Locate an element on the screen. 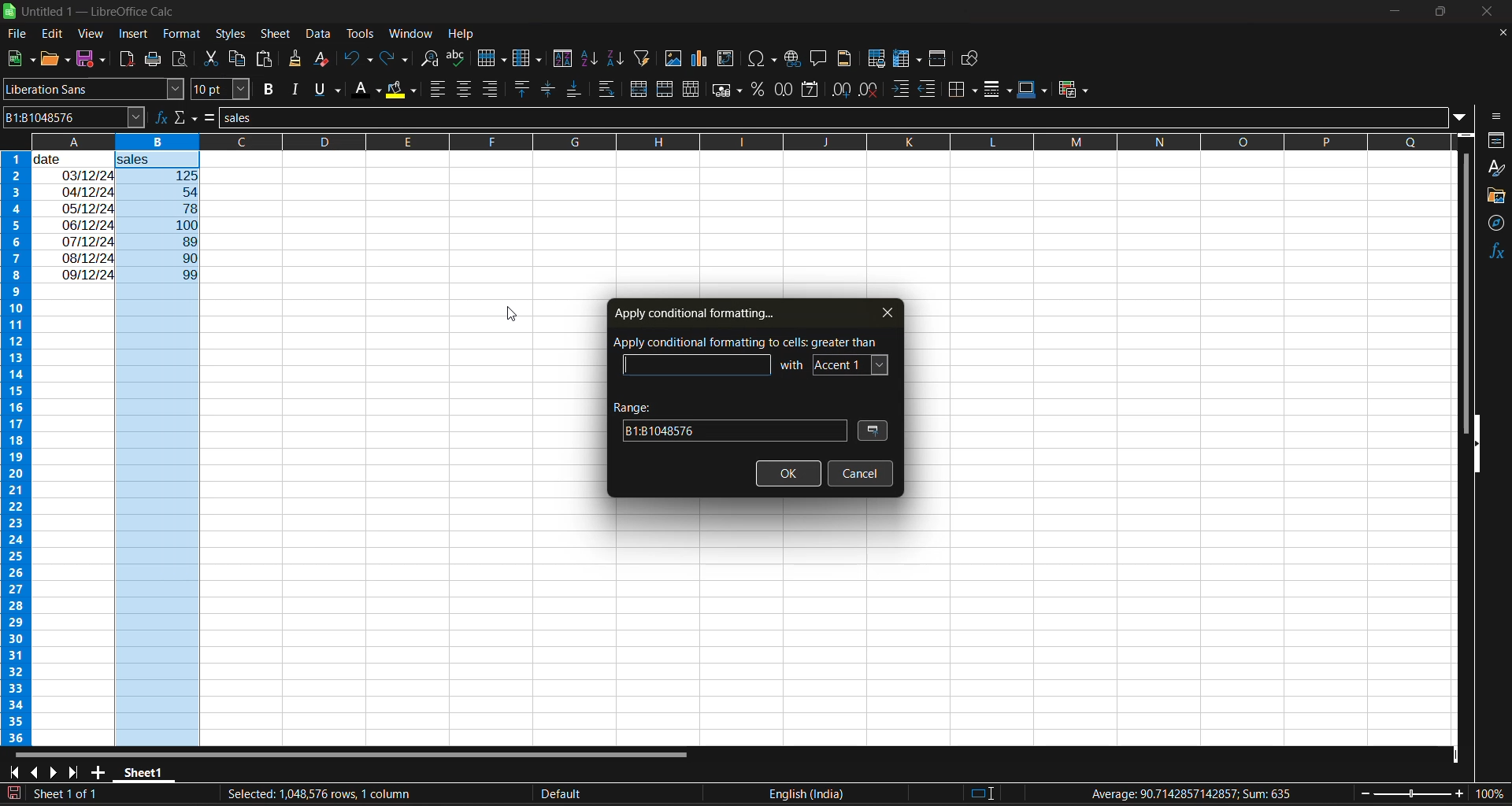 This screenshot has height=806, width=1512. selected area is located at coordinates (317, 794).